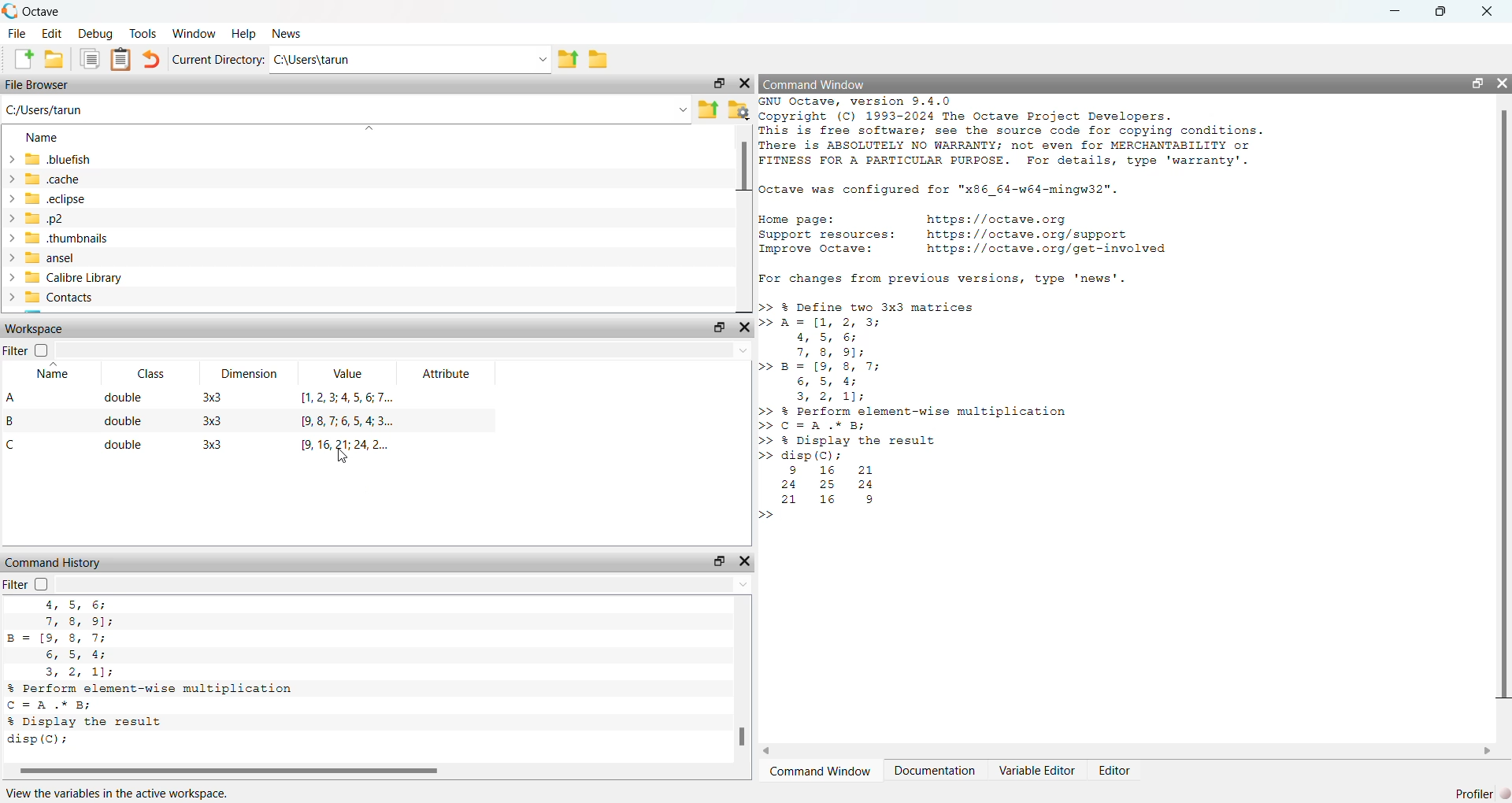 This screenshot has width=1512, height=803. Describe the element at coordinates (450, 373) in the screenshot. I see `Attribute` at that location.